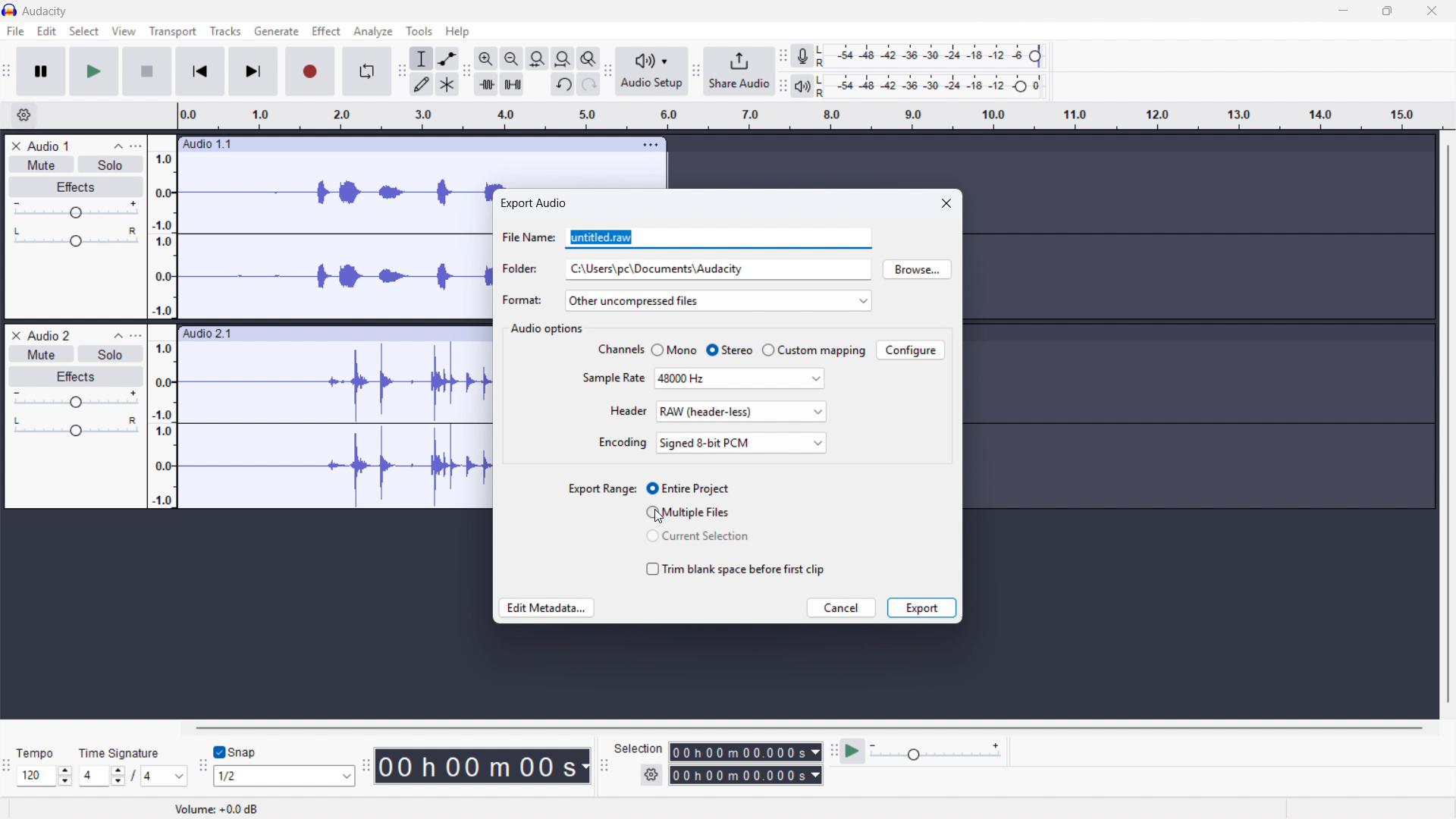 Image resolution: width=1456 pixels, height=819 pixels. What do you see at coordinates (651, 775) in the screenshot?
I see `Selection settings` at bounding box center [651, 775].